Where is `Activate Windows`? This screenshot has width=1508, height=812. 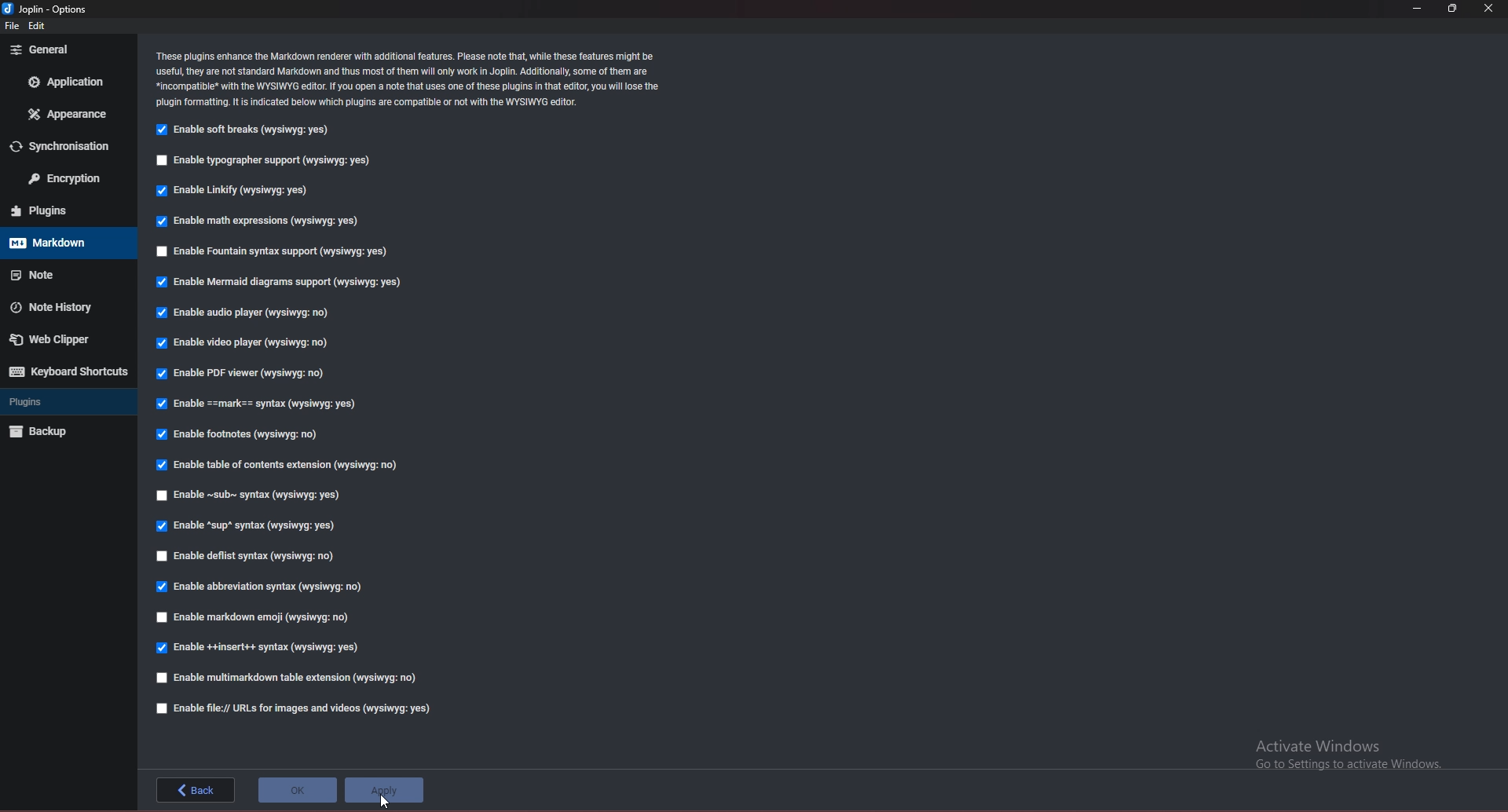
Activate Windows is located at coordinates (1345, 756).